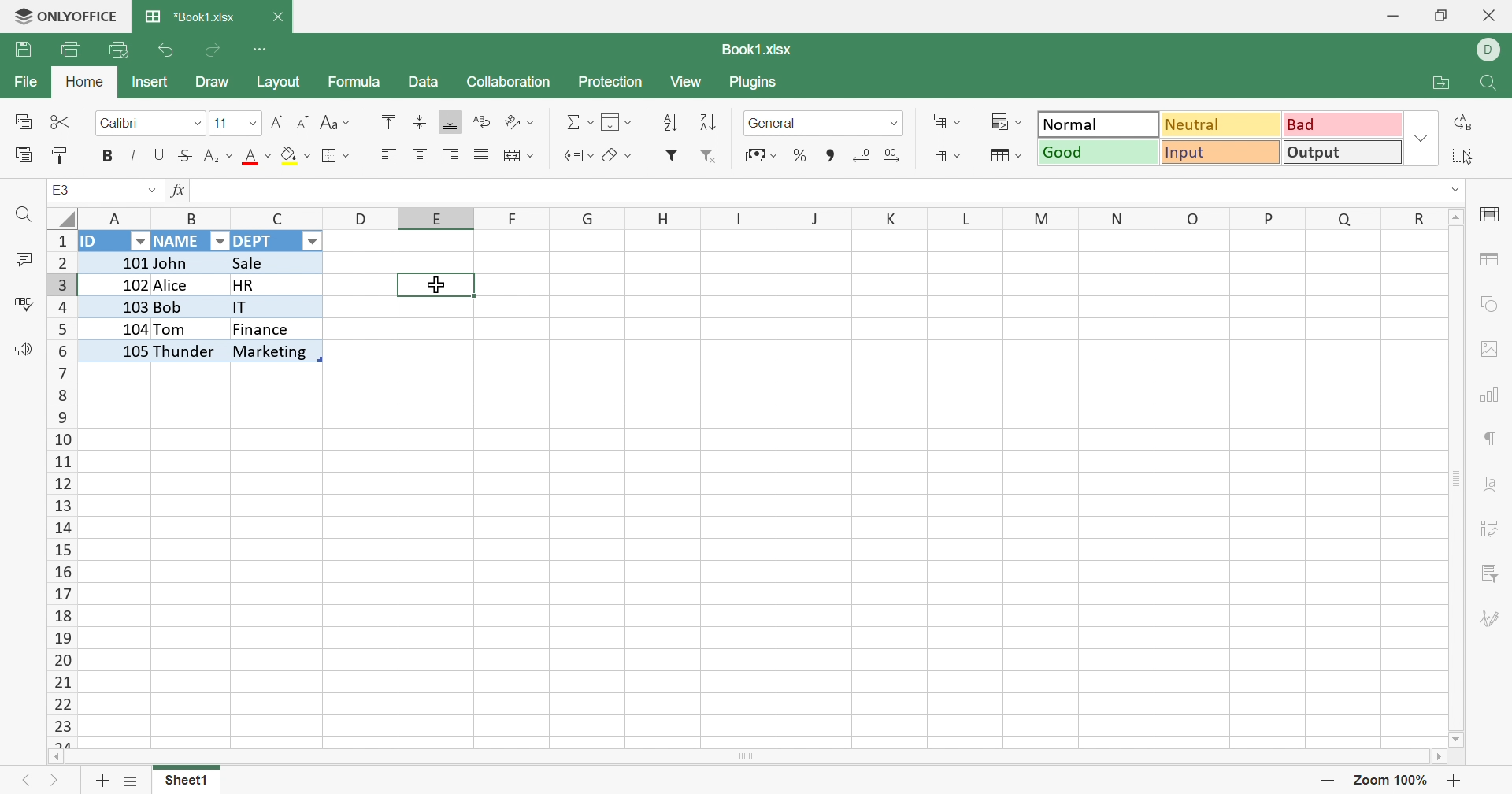 This screenshot has height=794, width=1512. I want to click on Sheet1, so click(187, 781).